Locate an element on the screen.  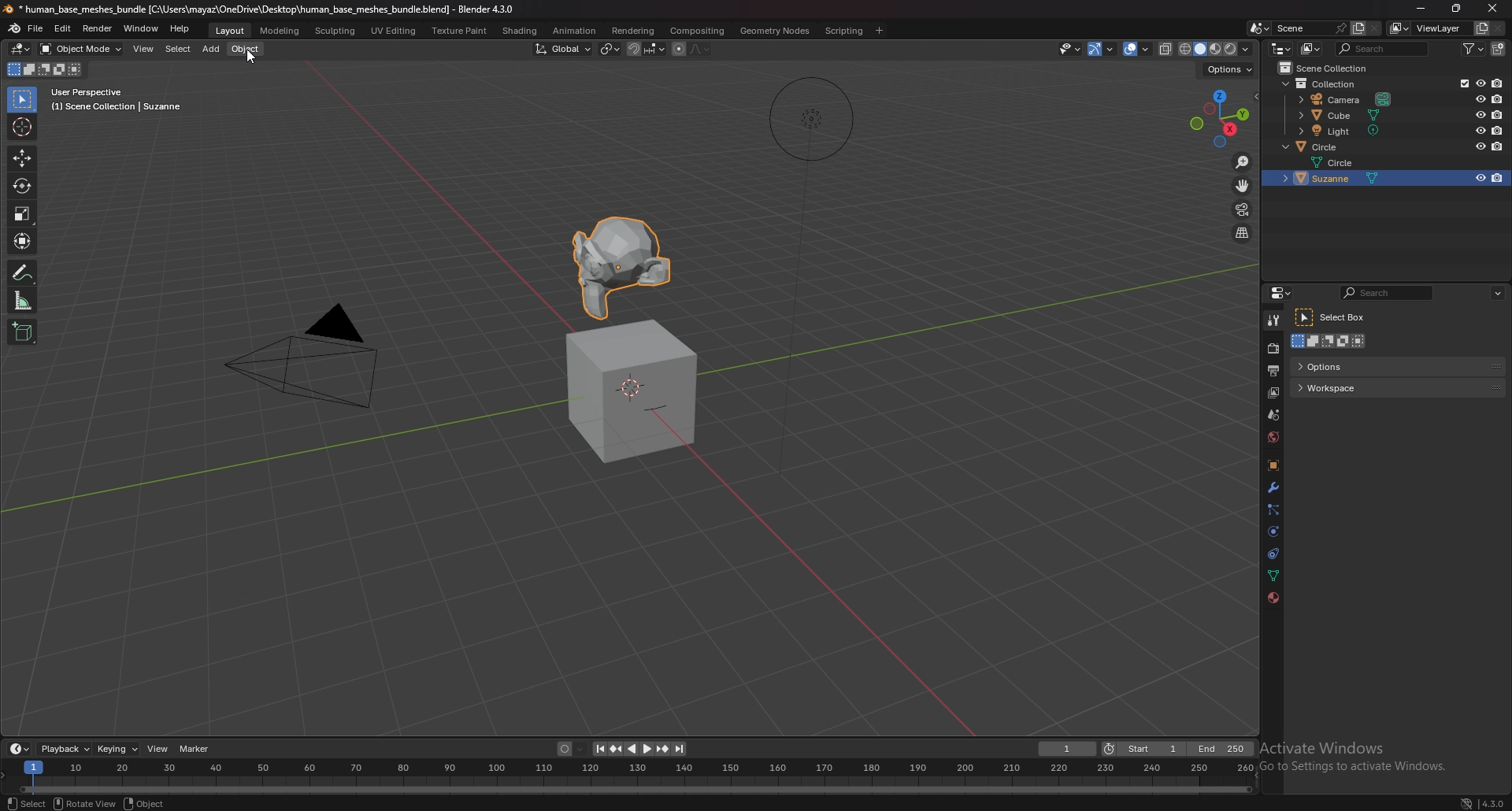
jump to keyframe is located at coordinates (661, 749).